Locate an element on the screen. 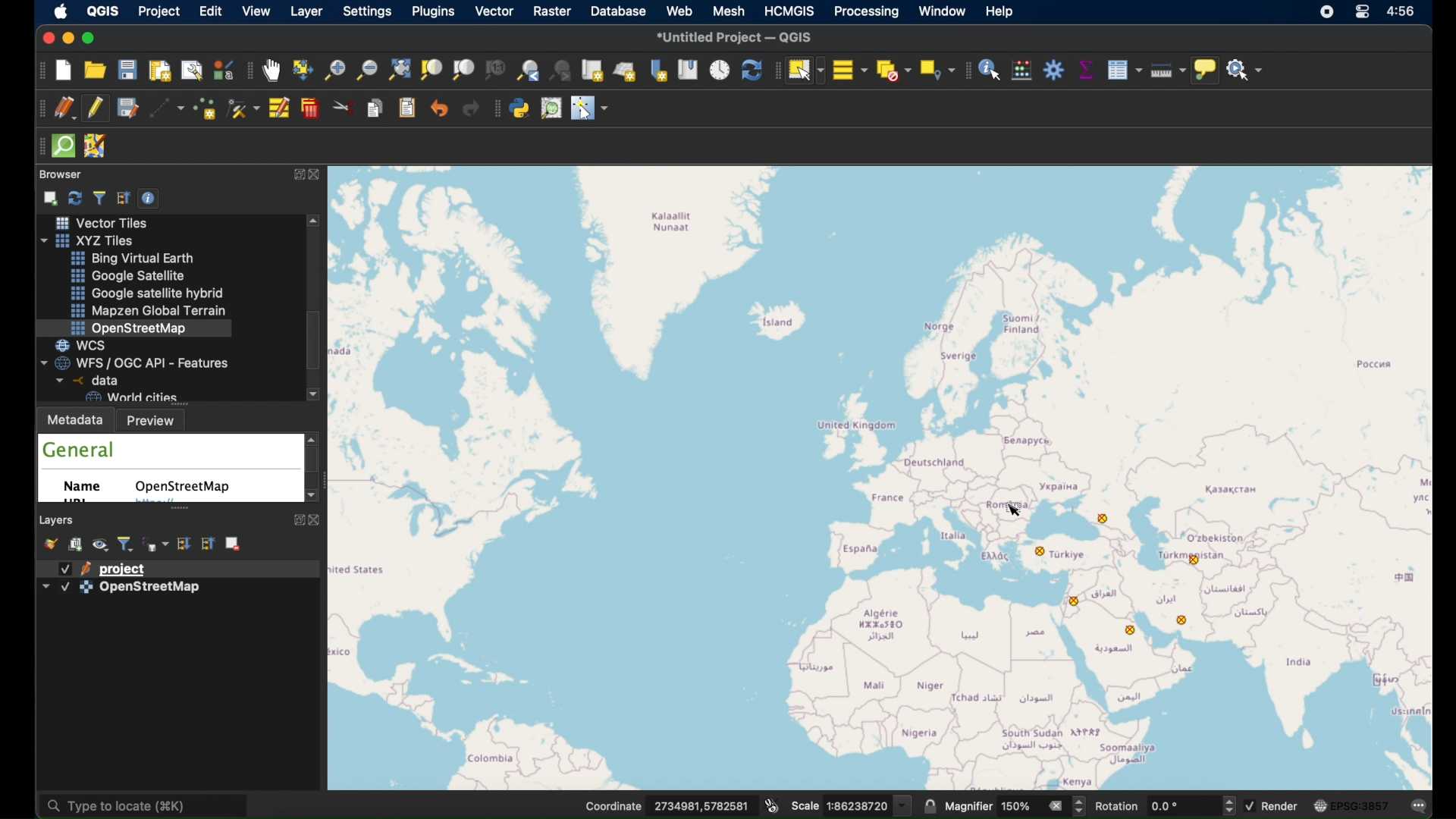 Image resolution: width=1456 pixels, height=819 pixels. browser is located at coordinates (61, 174).